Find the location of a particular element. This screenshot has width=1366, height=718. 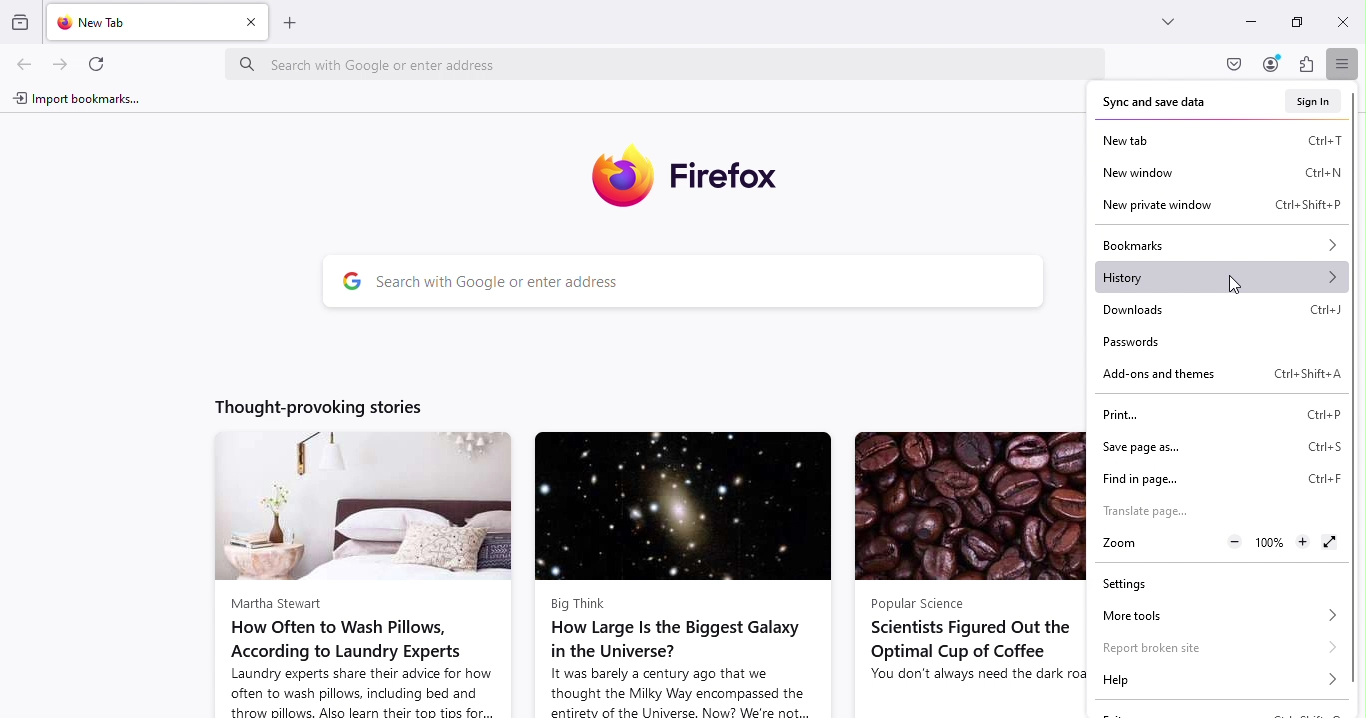

Add-ons and themes is located at coordinates (1219, 376).